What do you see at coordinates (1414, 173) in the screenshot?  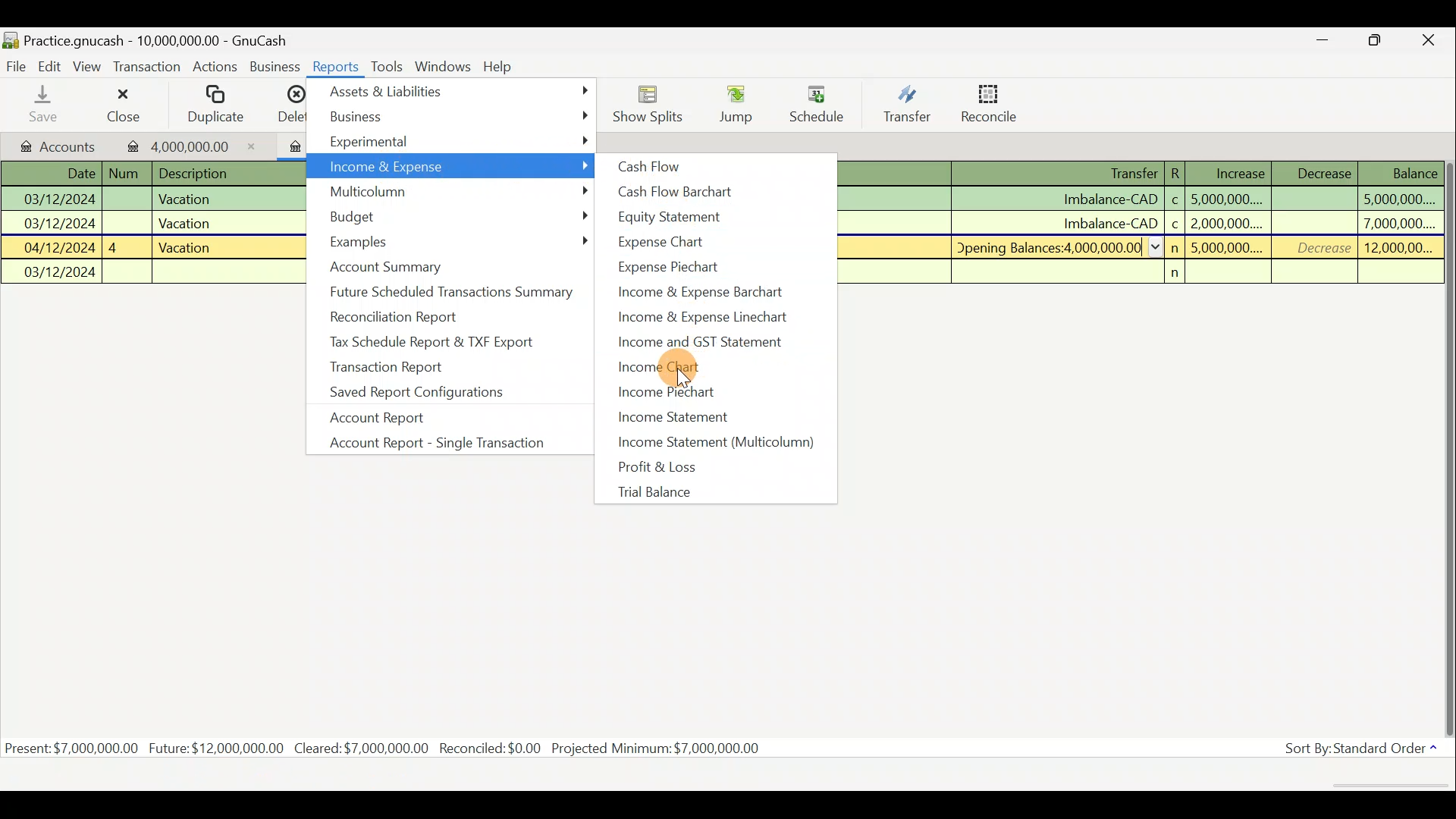 I see `Balance` at bounding box center [1414, 173].